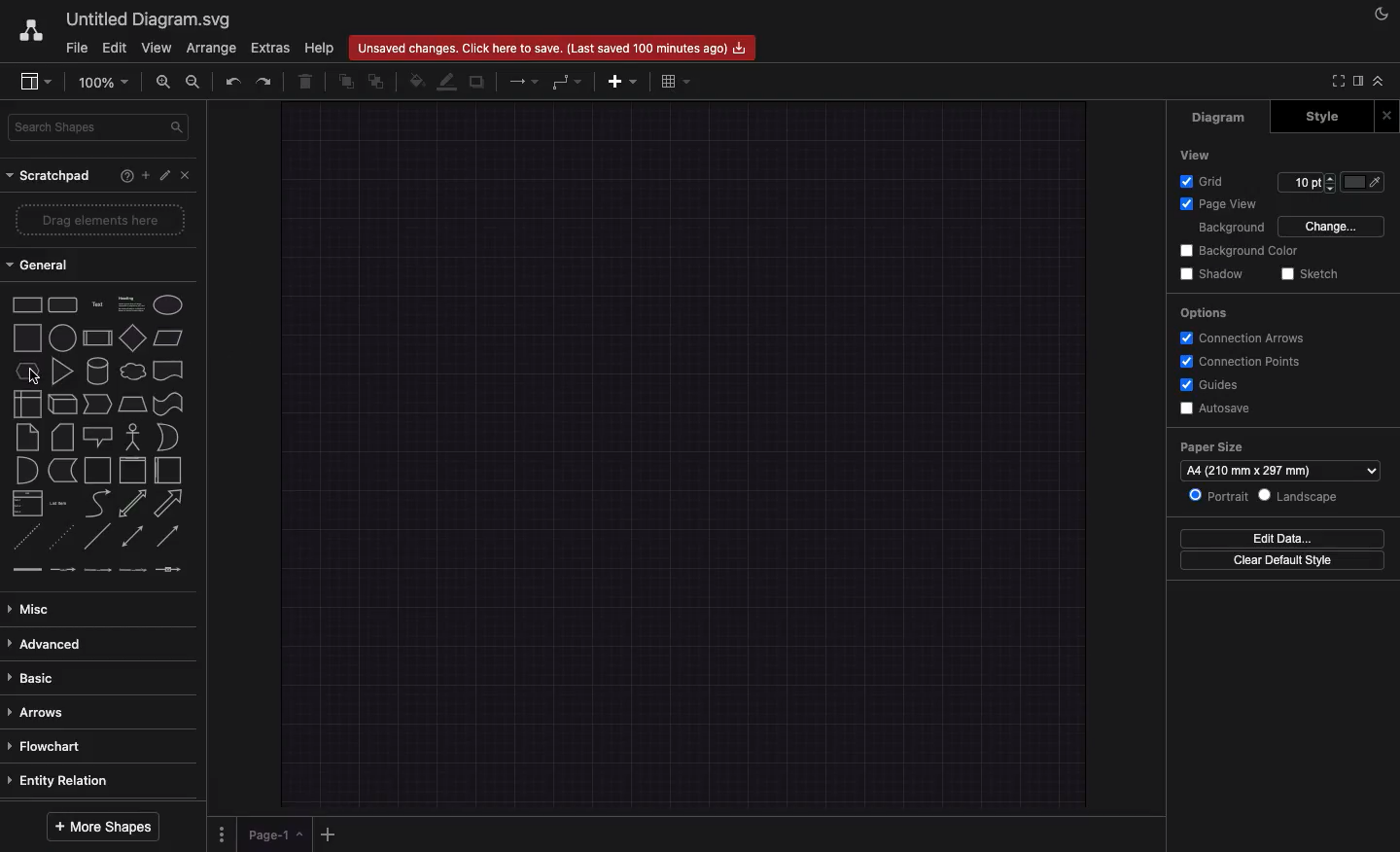  Describe the element at coordinates (1282, 538) in the screenshot. I see `Edit data` at that location.